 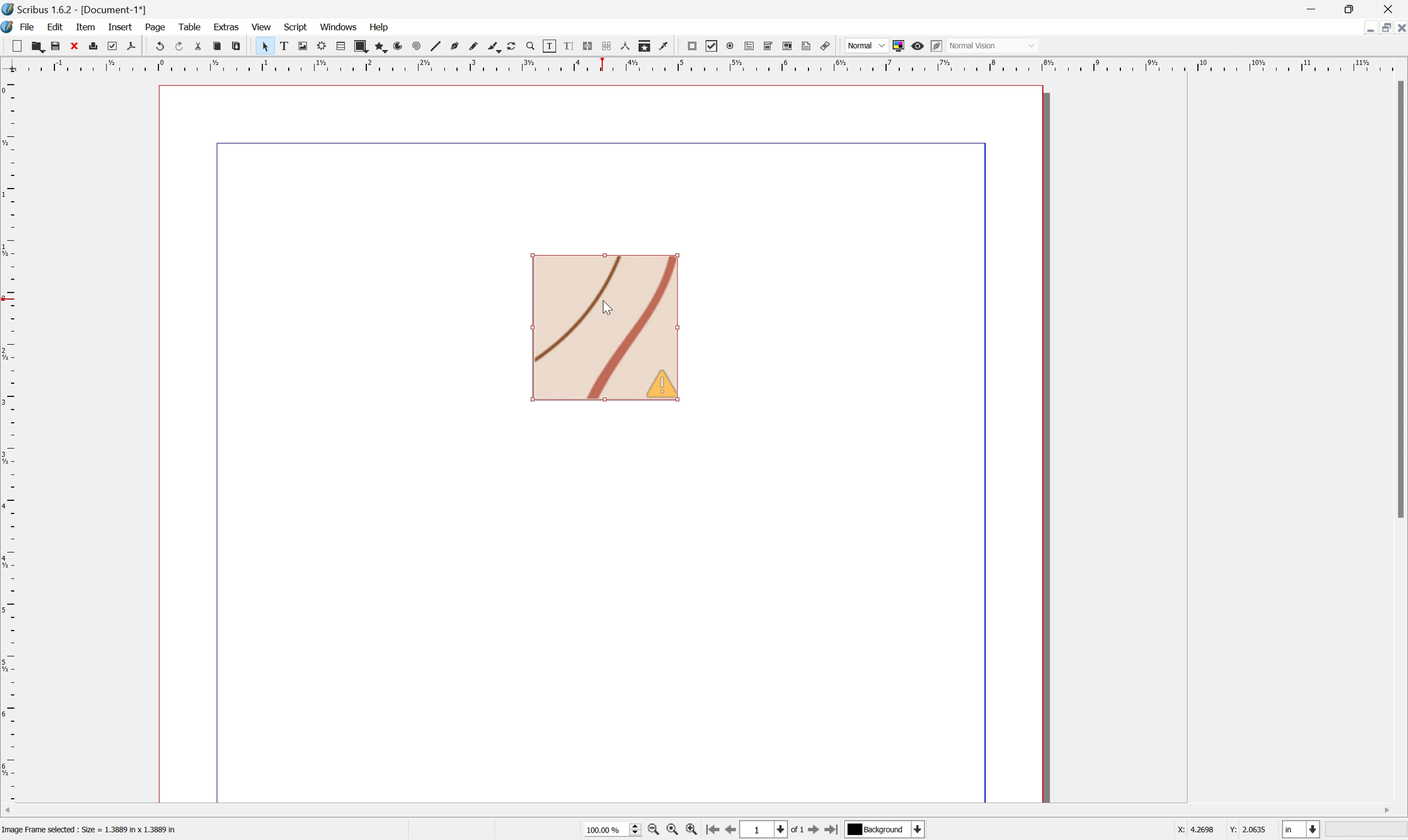 What do you see at coordinates (807, 46) in the screenshot?
I see `Text annotation` at bounding box center [807, 46].